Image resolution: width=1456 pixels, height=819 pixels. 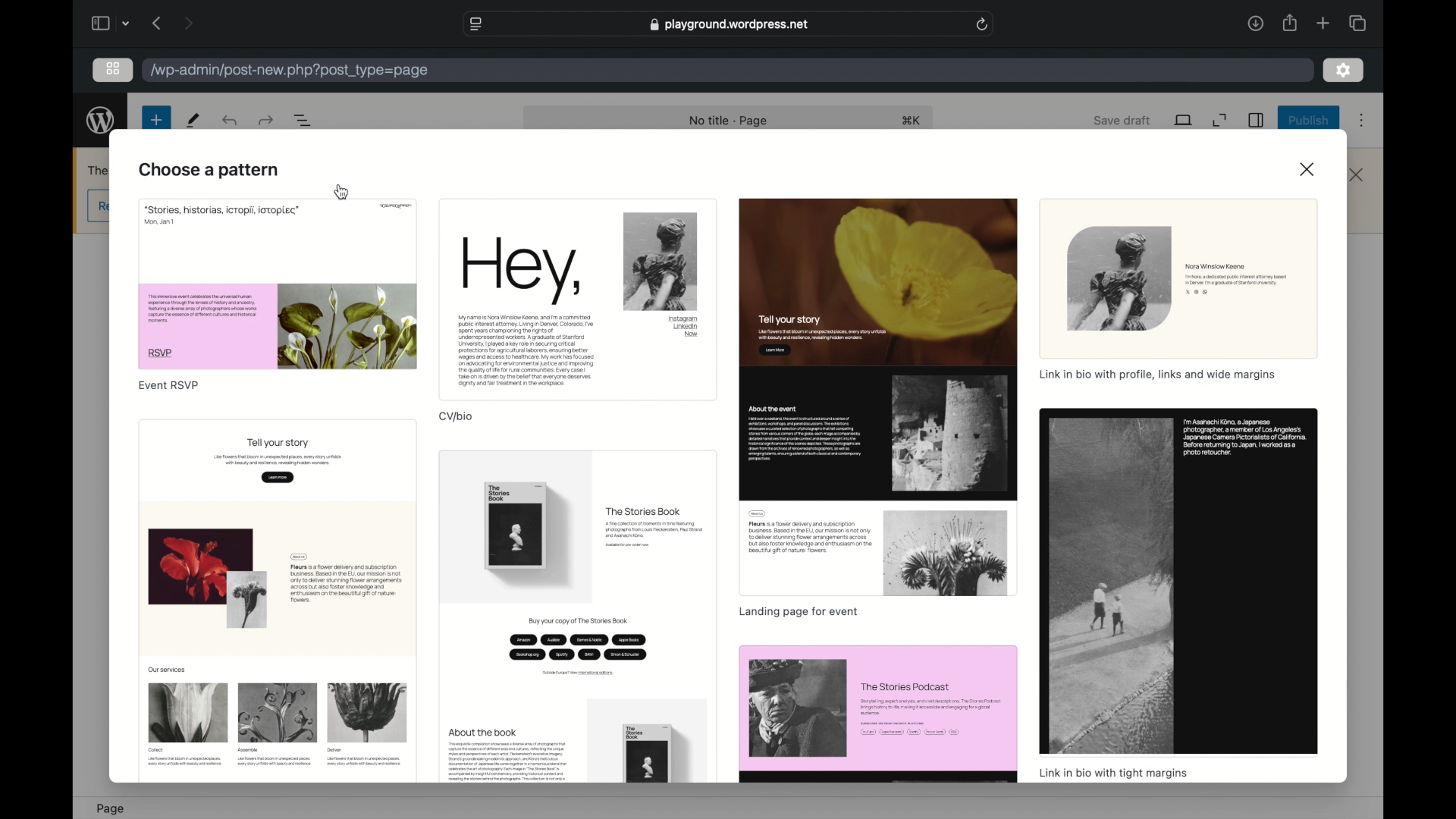 I want to click on page, so click(x=114, y=809).